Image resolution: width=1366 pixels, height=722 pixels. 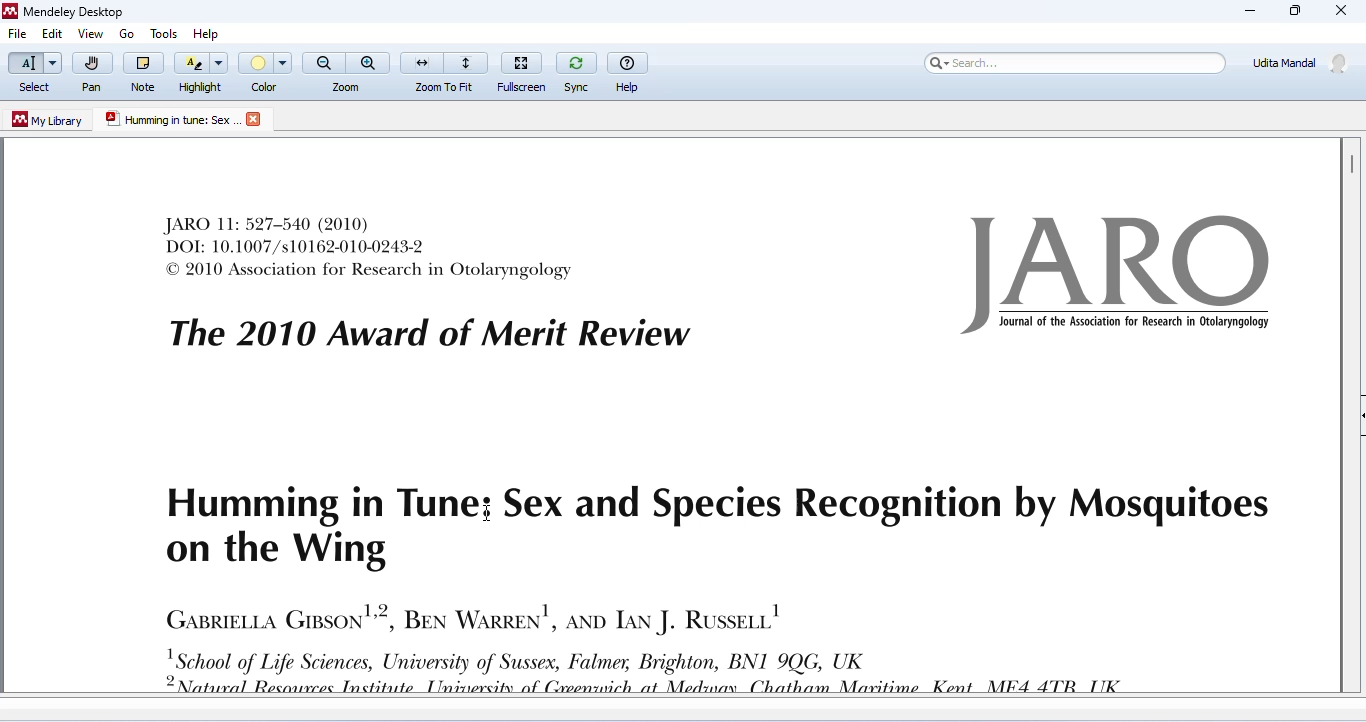 I want to click on minimize, so click(x=1250, y=11).